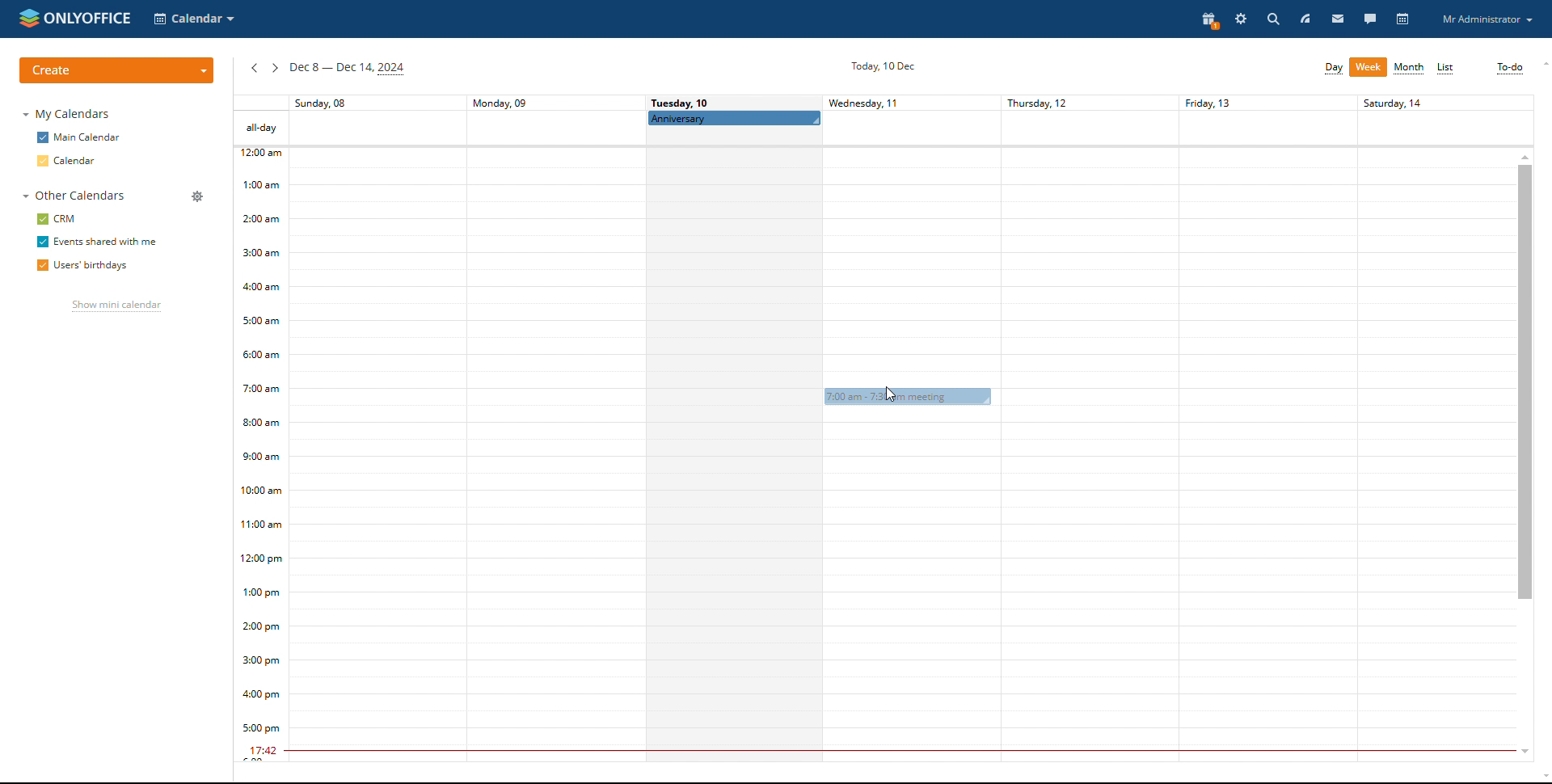  Describe the element at coordinates (893, 390) in the screenshot. I see `cursor` at that location.